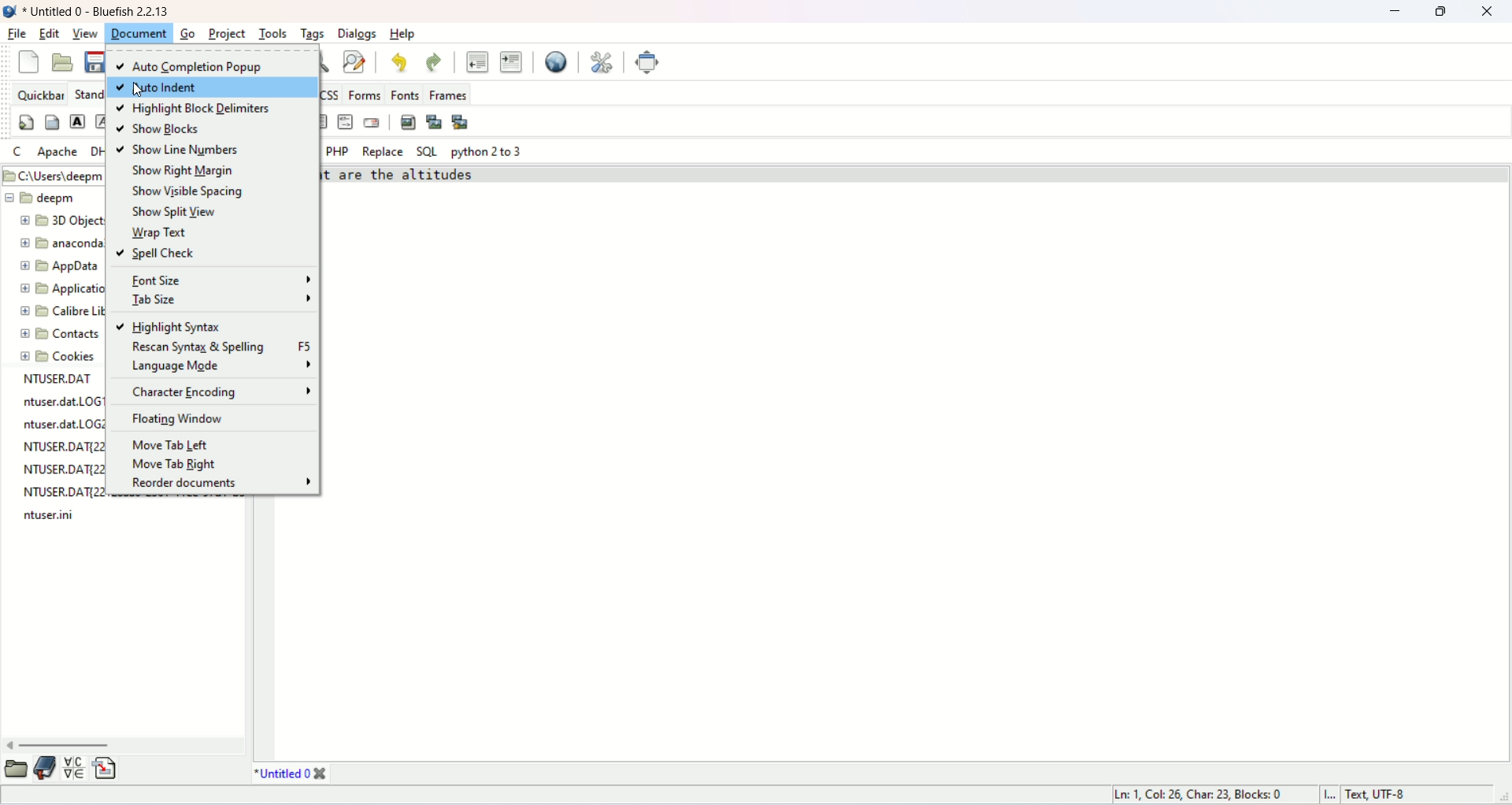  I want to click on undo, so click(400, 61).